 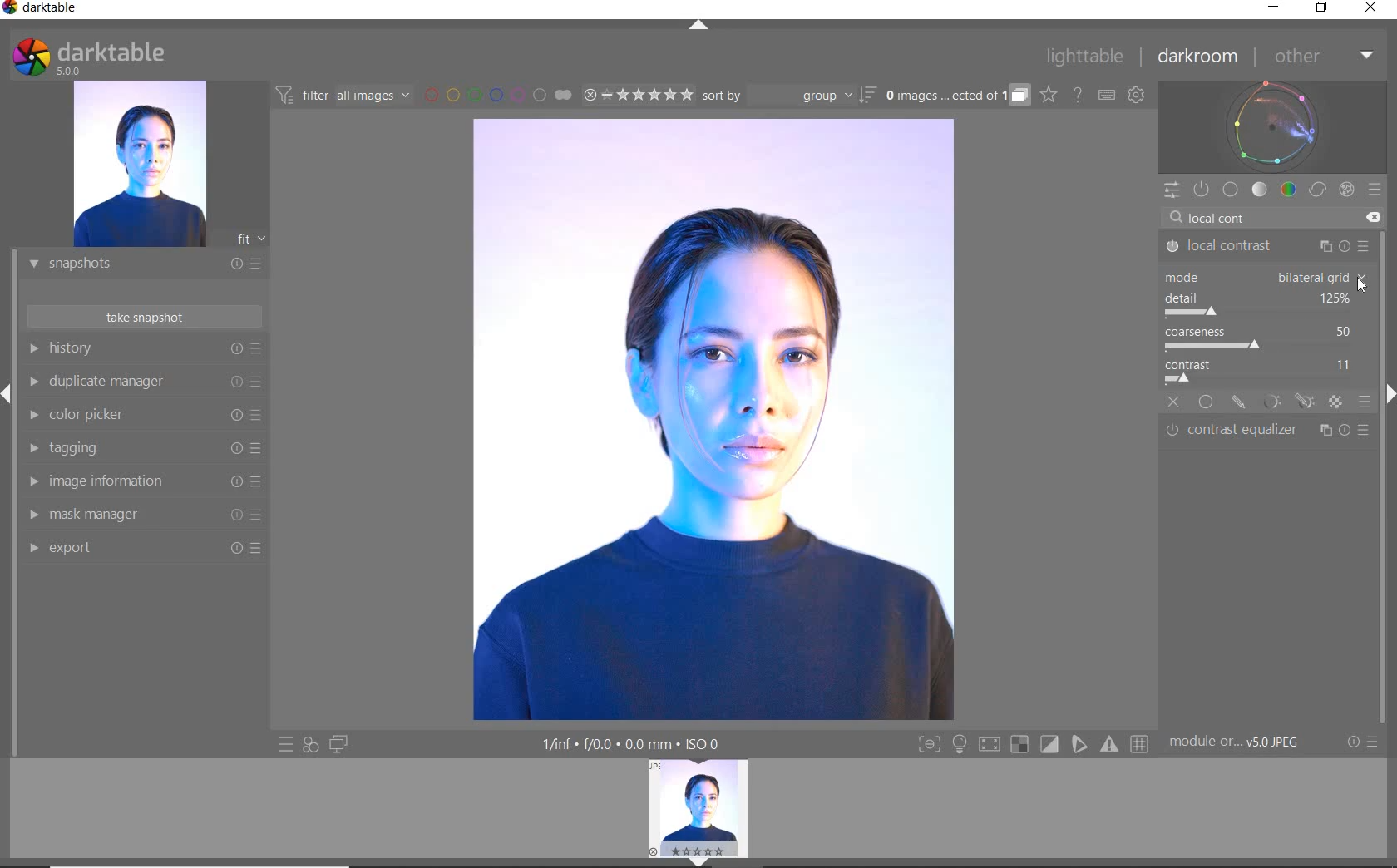 I want to click on RESET OR PRESETS & PREFERENCES, so click(x=1365, y=742).